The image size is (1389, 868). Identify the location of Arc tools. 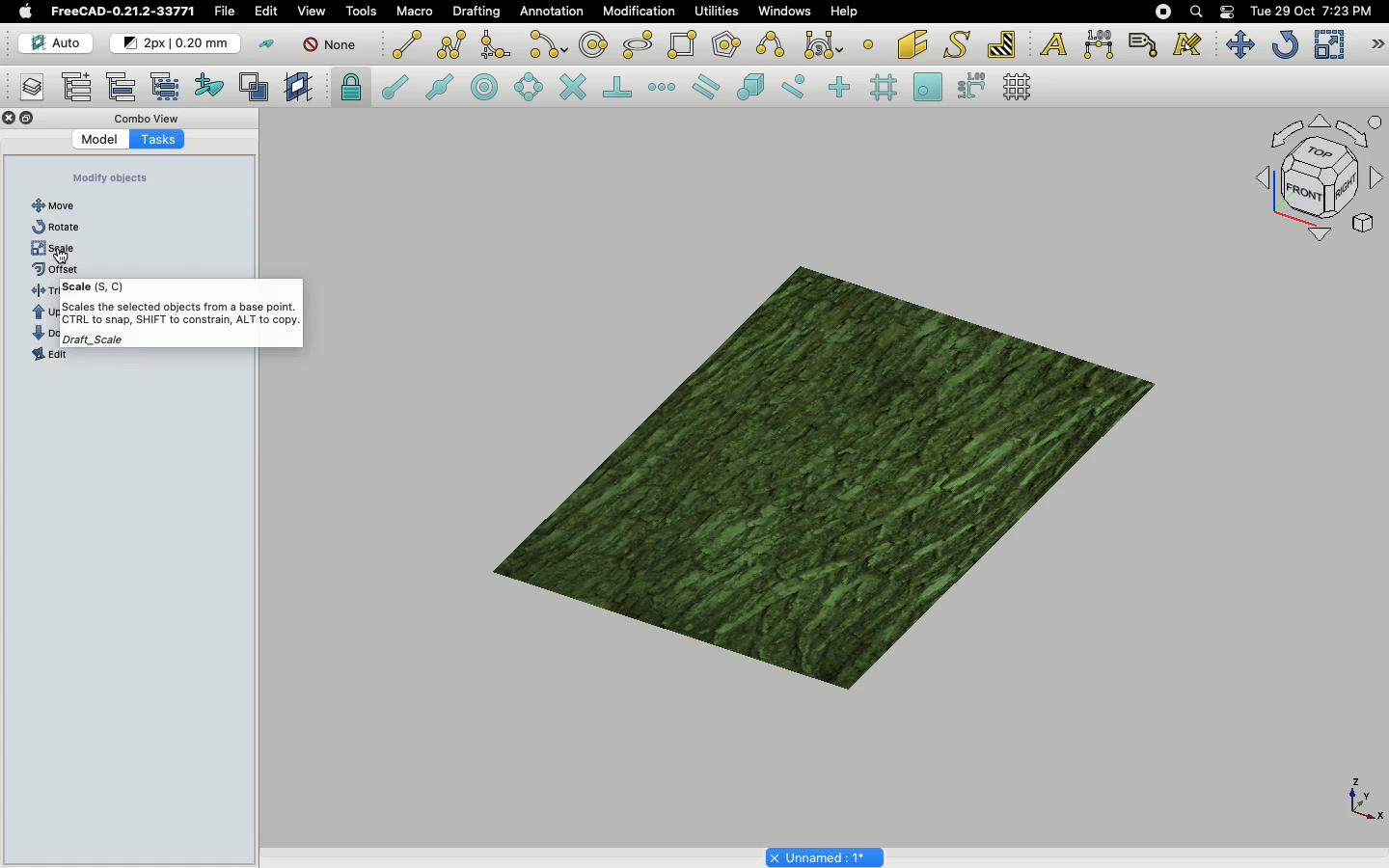
(546, 44).